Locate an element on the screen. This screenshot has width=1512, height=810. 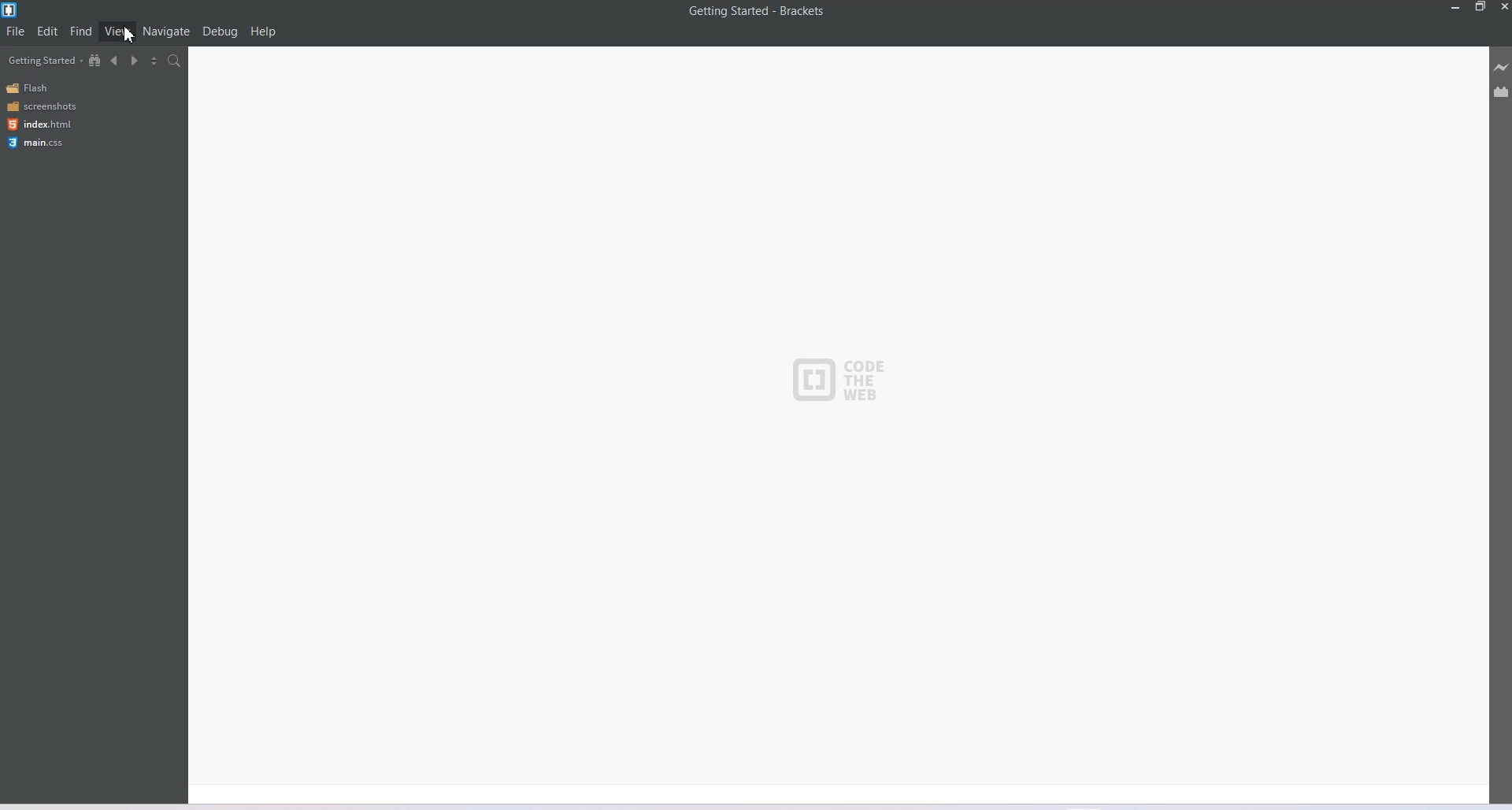
View is located at coordinates (117, 30).